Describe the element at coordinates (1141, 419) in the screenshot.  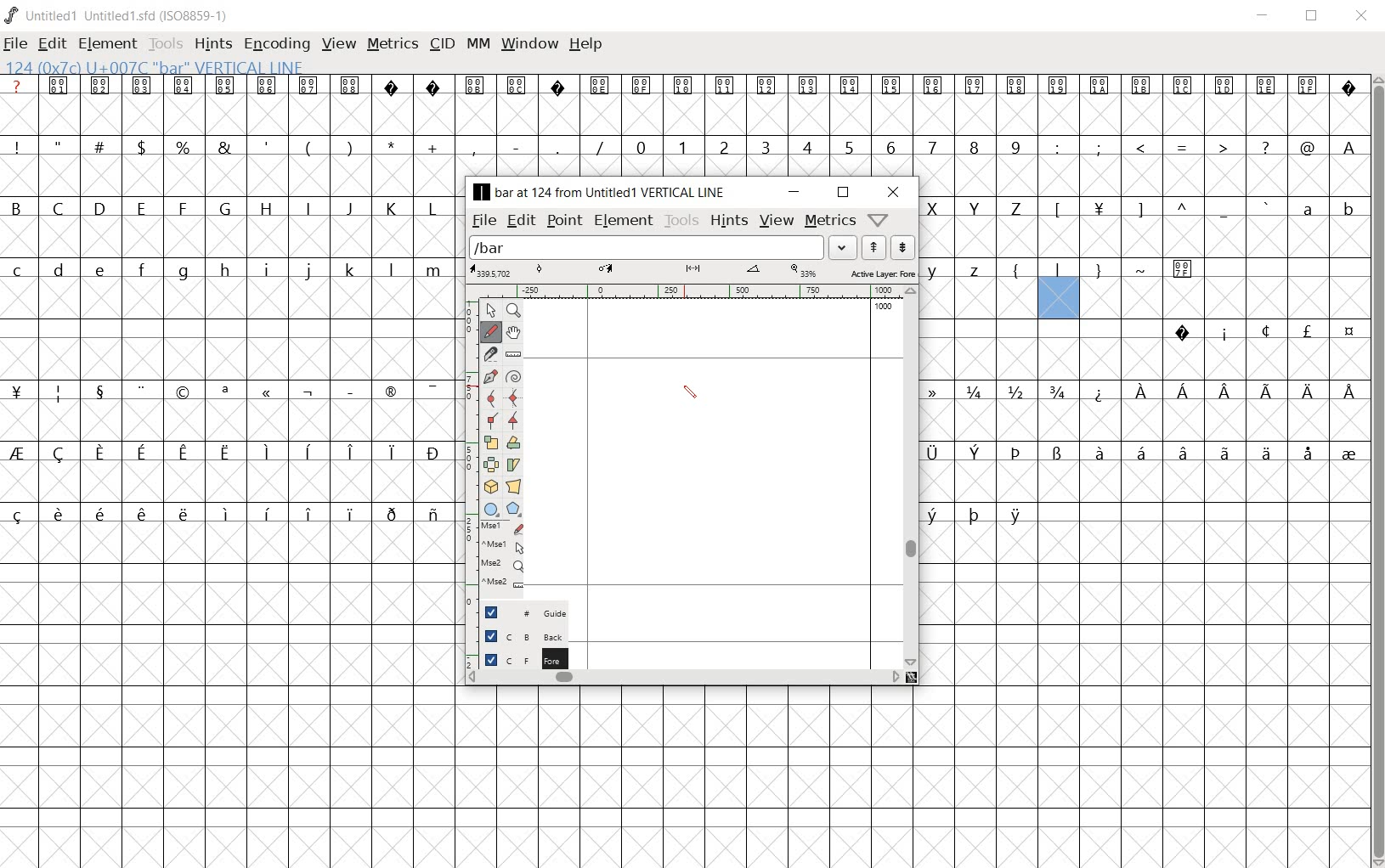
I see `empty cells` at that location.